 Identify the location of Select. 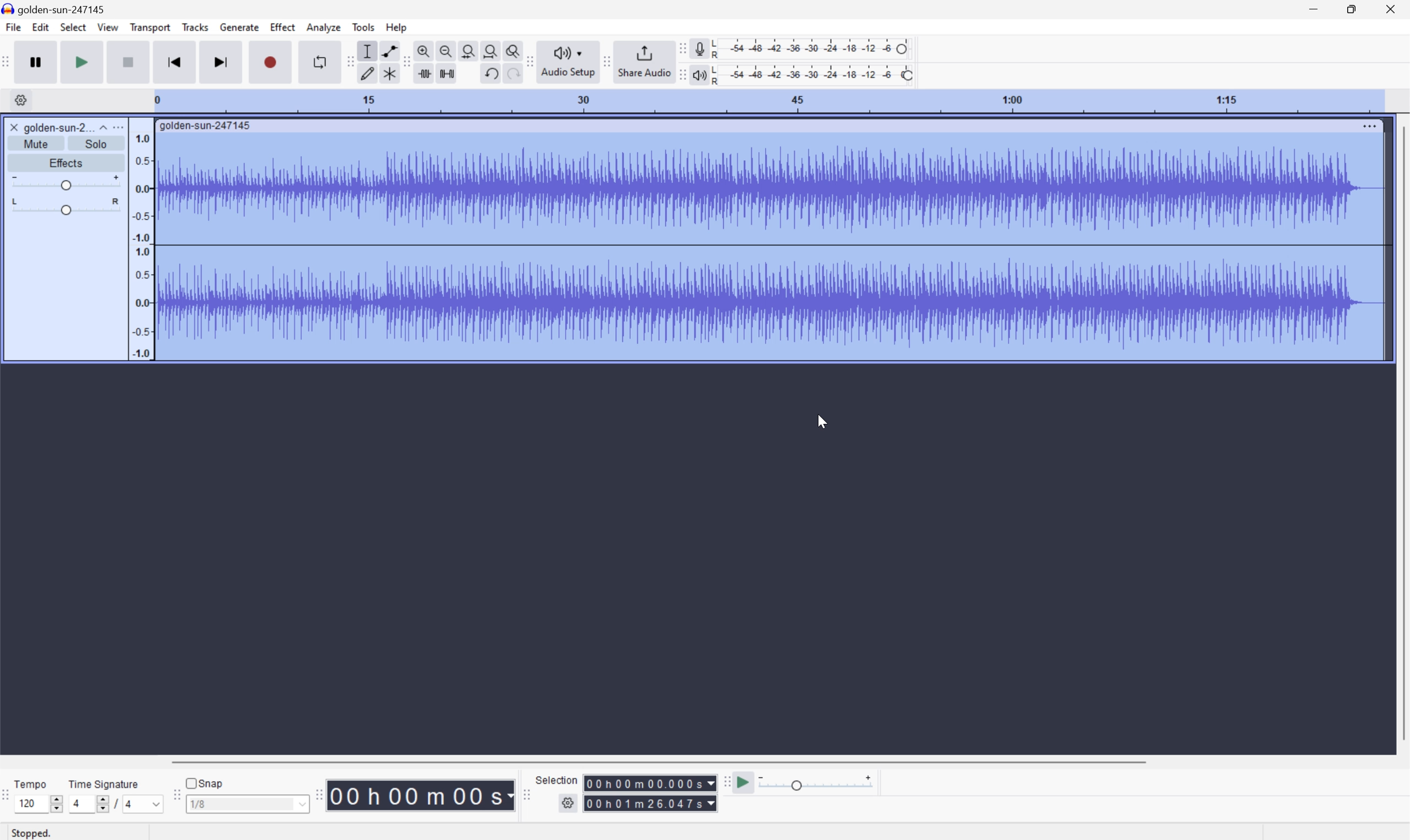
(73, 26).